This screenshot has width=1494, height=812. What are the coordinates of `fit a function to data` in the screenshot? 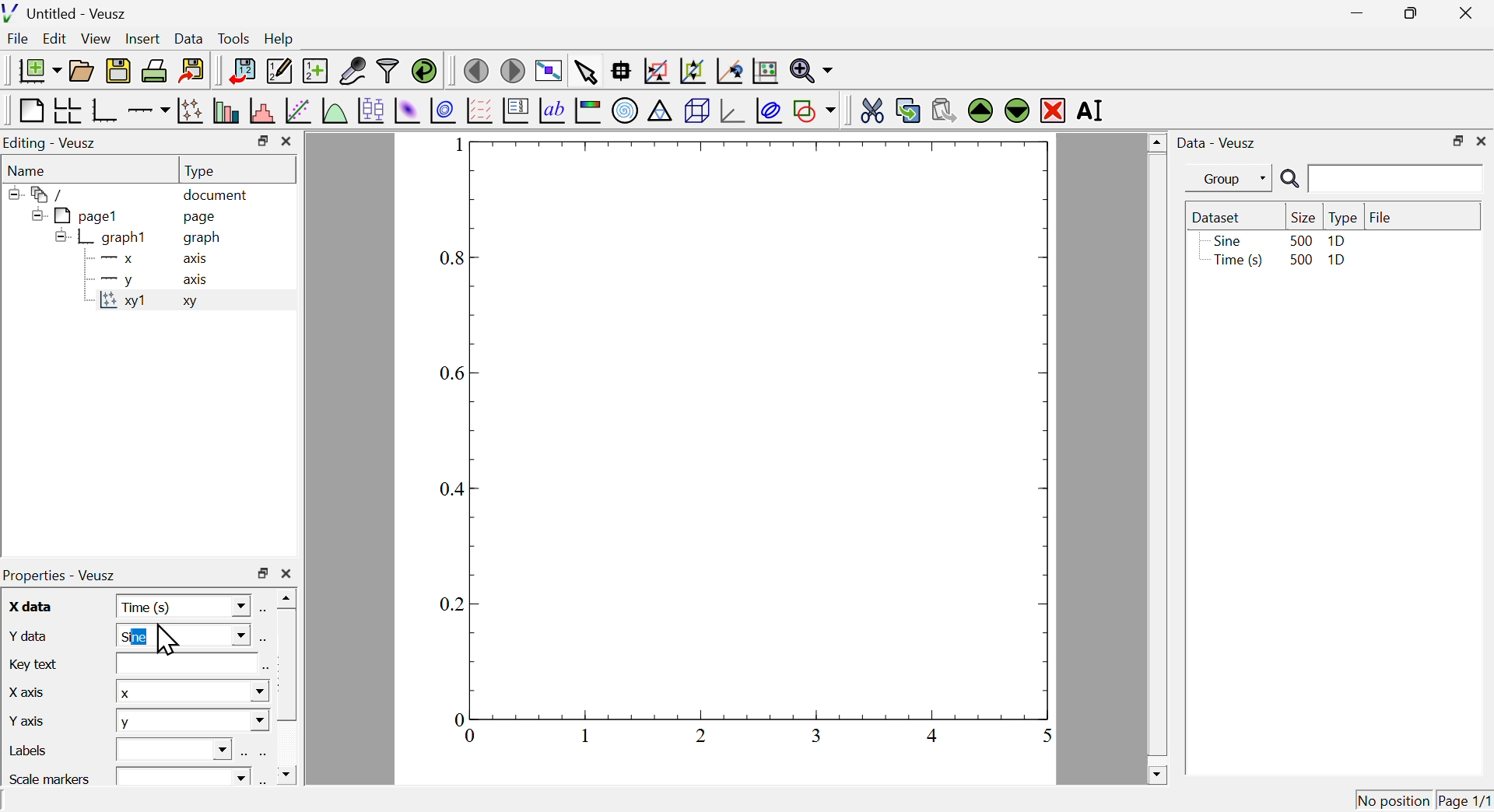 It's located at (297, 111).